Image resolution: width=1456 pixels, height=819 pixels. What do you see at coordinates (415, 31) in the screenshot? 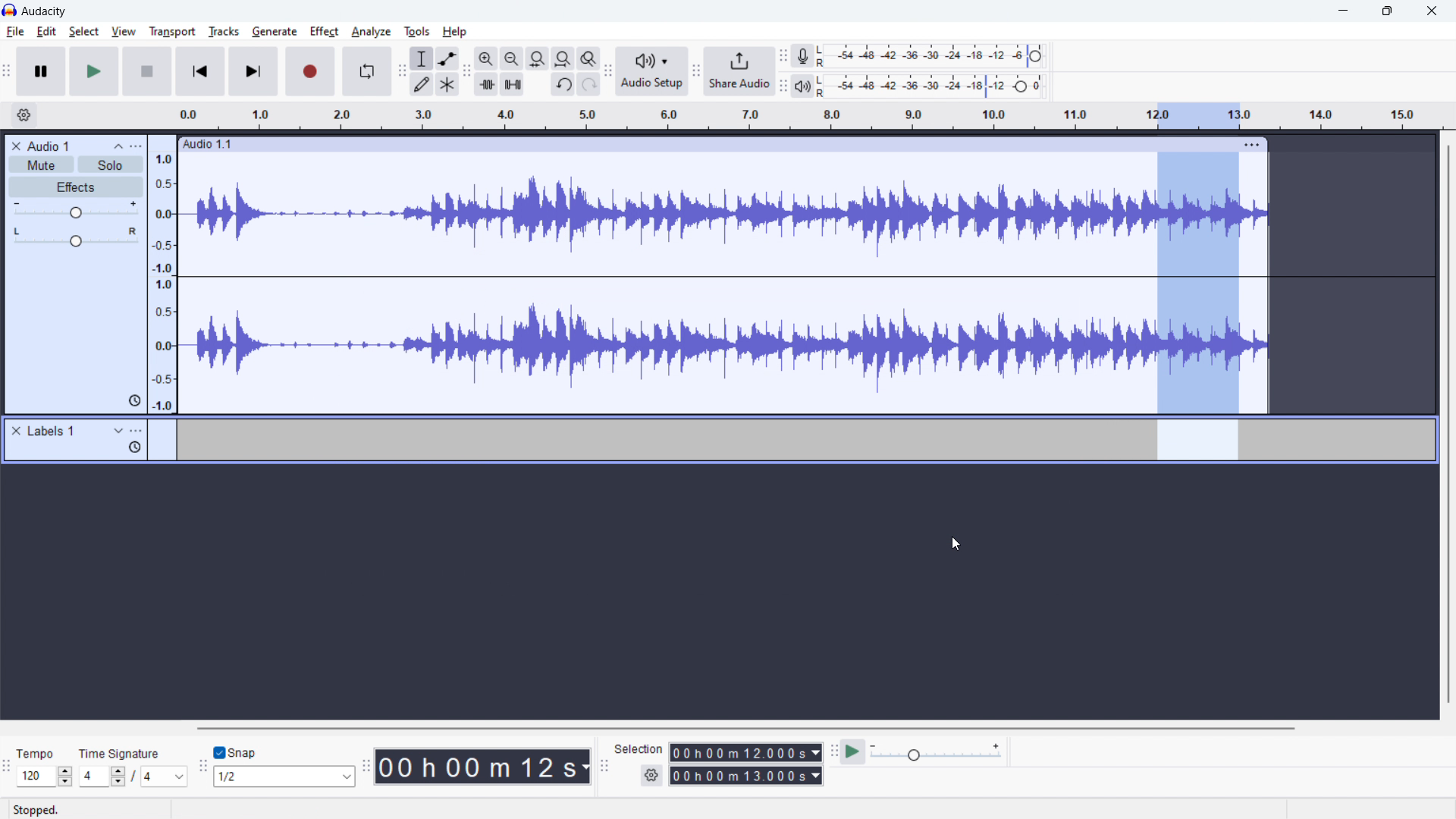
I see `tools` at bounding box center [415, 31].